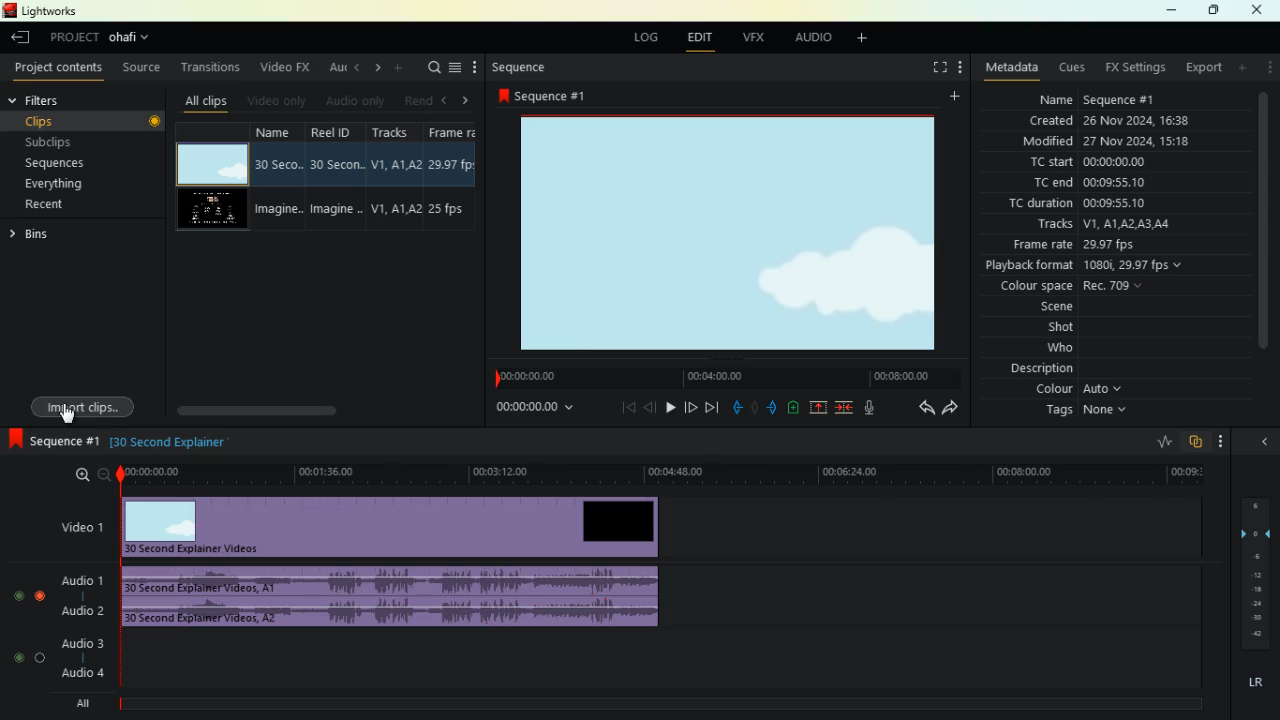 This screenshot has height=720, width=1280. I want to click on subclips, so click(60, 143).